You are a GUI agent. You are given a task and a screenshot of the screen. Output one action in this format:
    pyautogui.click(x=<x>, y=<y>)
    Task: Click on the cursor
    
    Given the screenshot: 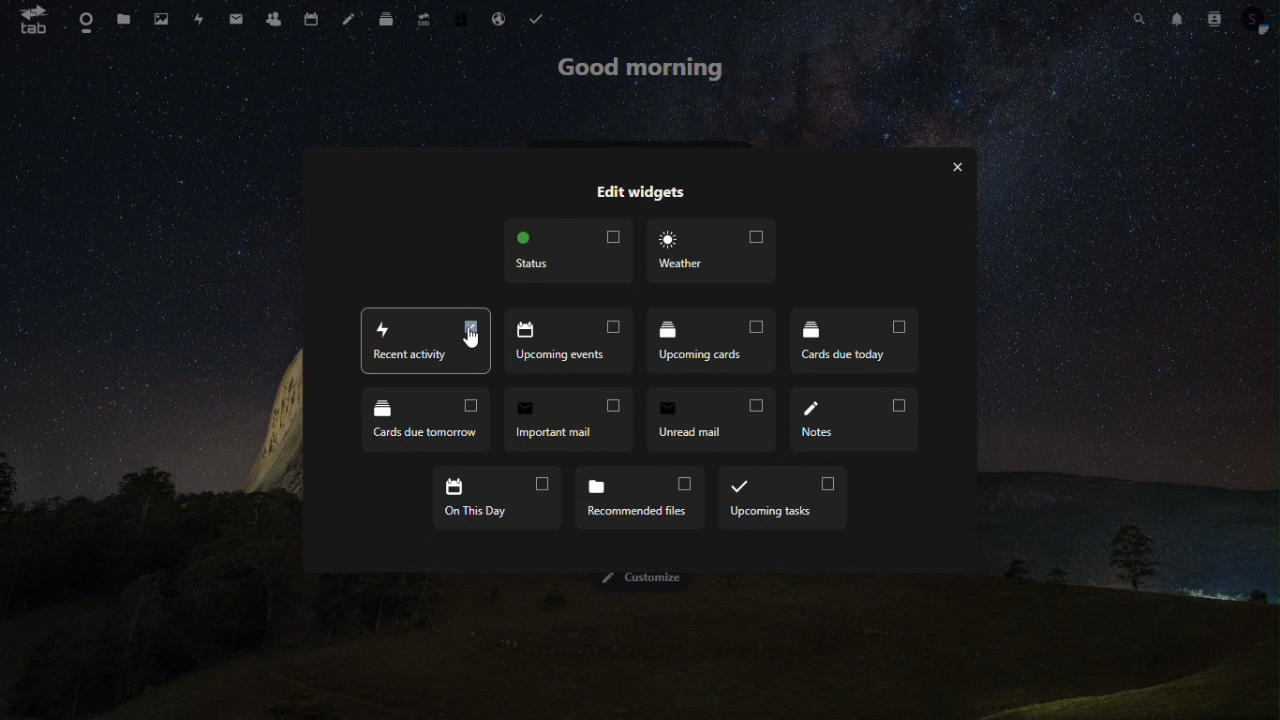 What is the action you would take?
    pyautogui.click(x=469, y=340)
    